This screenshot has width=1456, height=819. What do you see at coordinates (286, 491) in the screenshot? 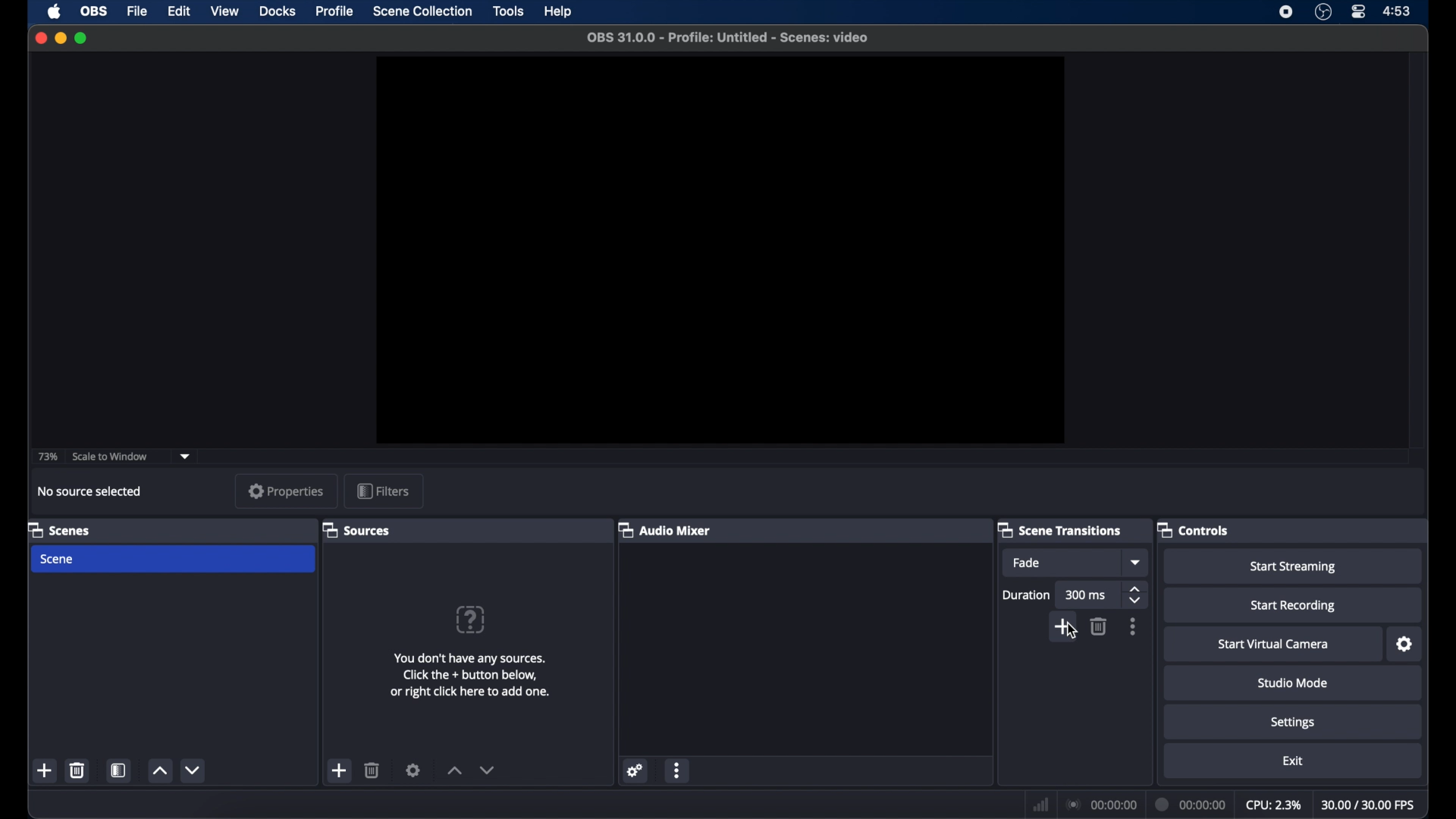
I see `properties` at bounding box center [286, 491].